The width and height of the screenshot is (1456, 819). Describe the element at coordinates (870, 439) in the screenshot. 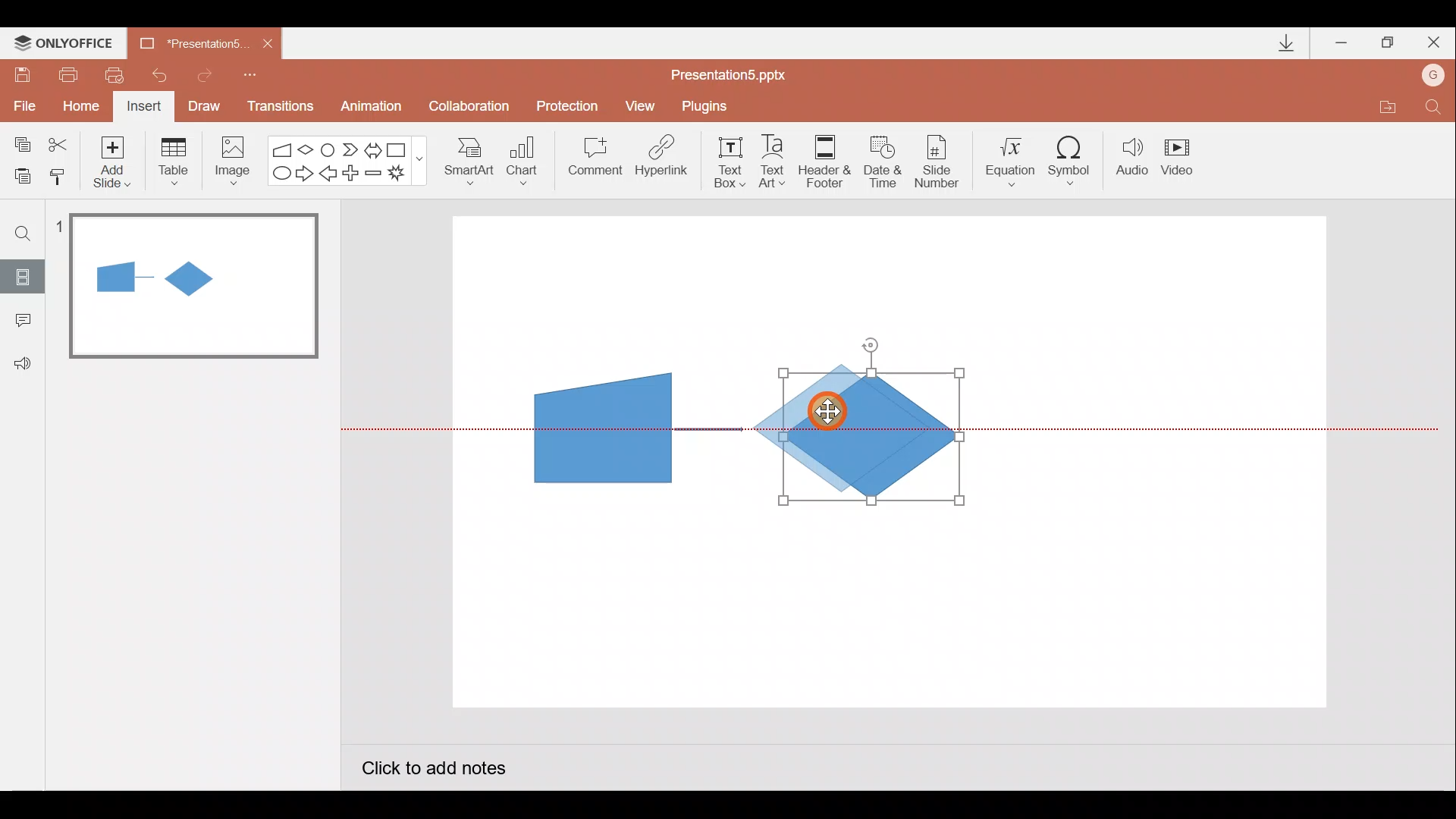

I see `Decision flow chart` at that location.